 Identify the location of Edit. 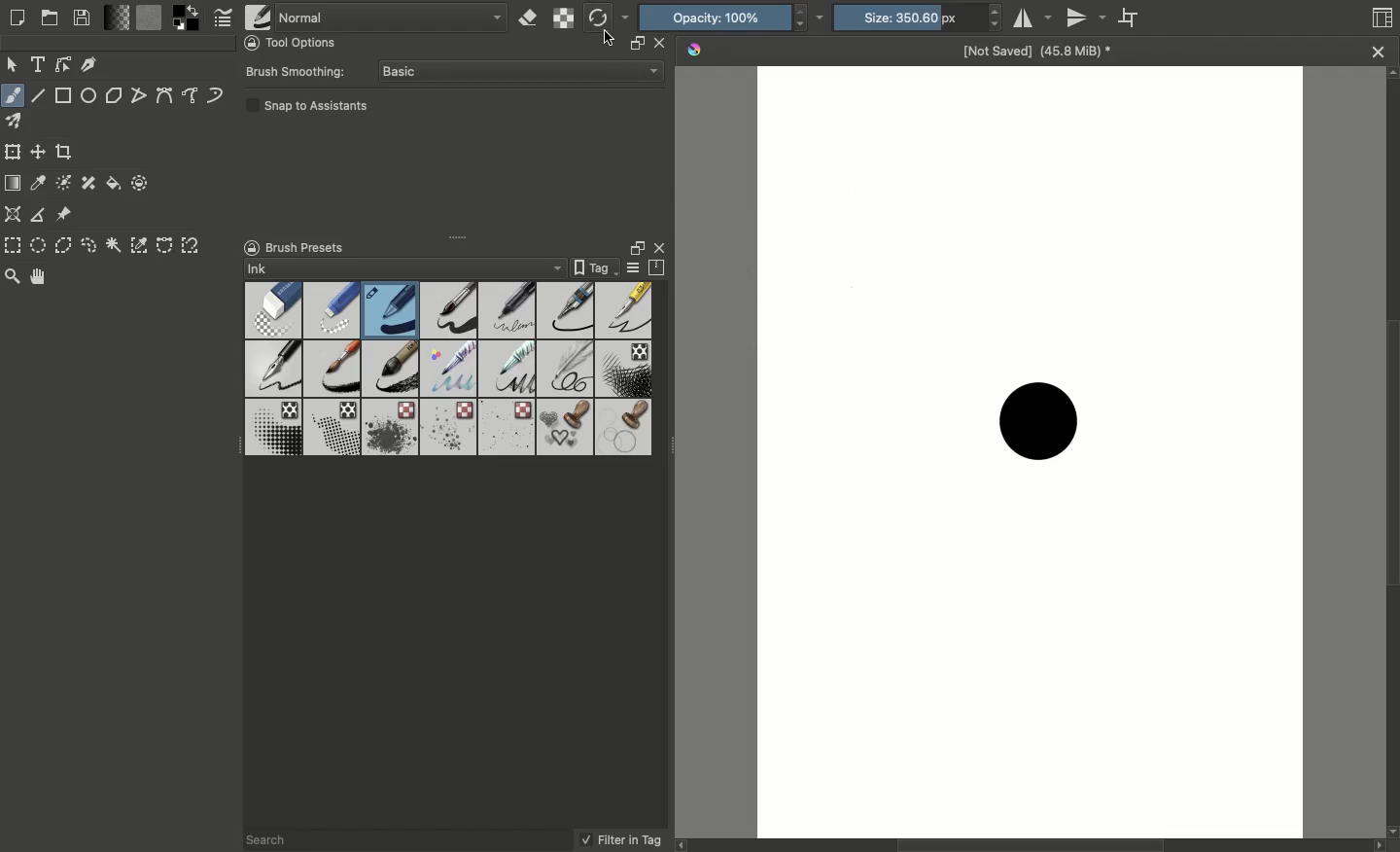
(63, 66).